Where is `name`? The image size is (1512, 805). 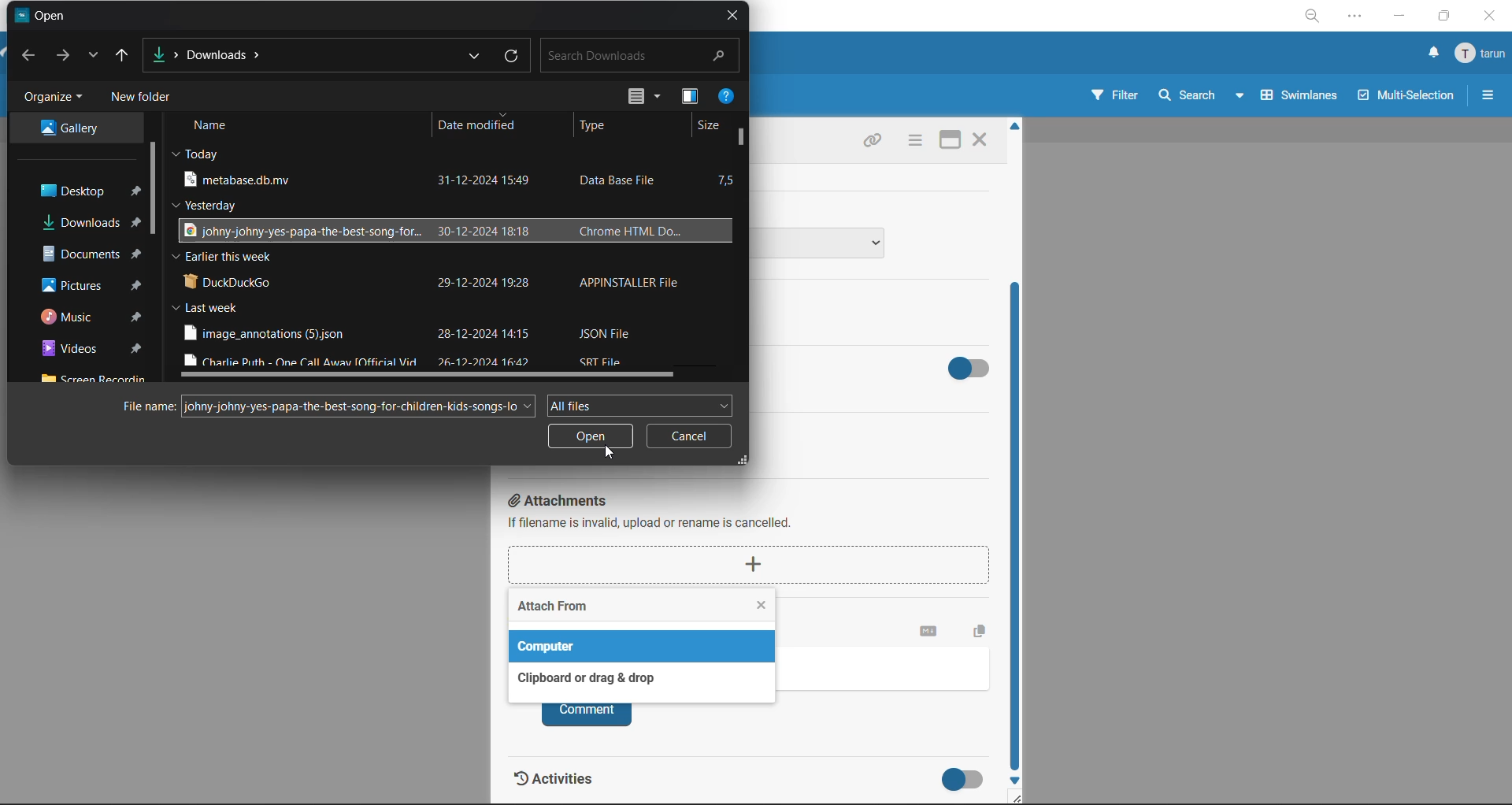 name is located at coordinates (217, 127).